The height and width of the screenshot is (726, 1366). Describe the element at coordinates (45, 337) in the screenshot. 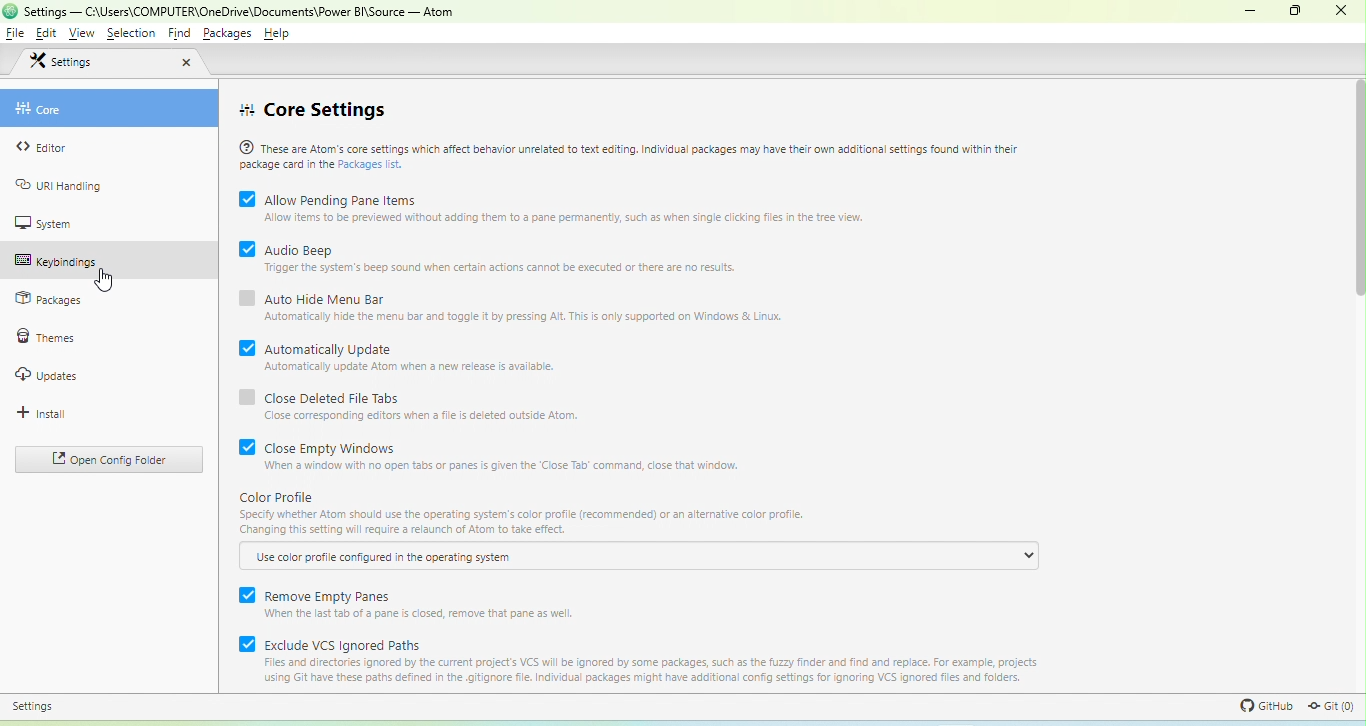

I see `themes` at that location.